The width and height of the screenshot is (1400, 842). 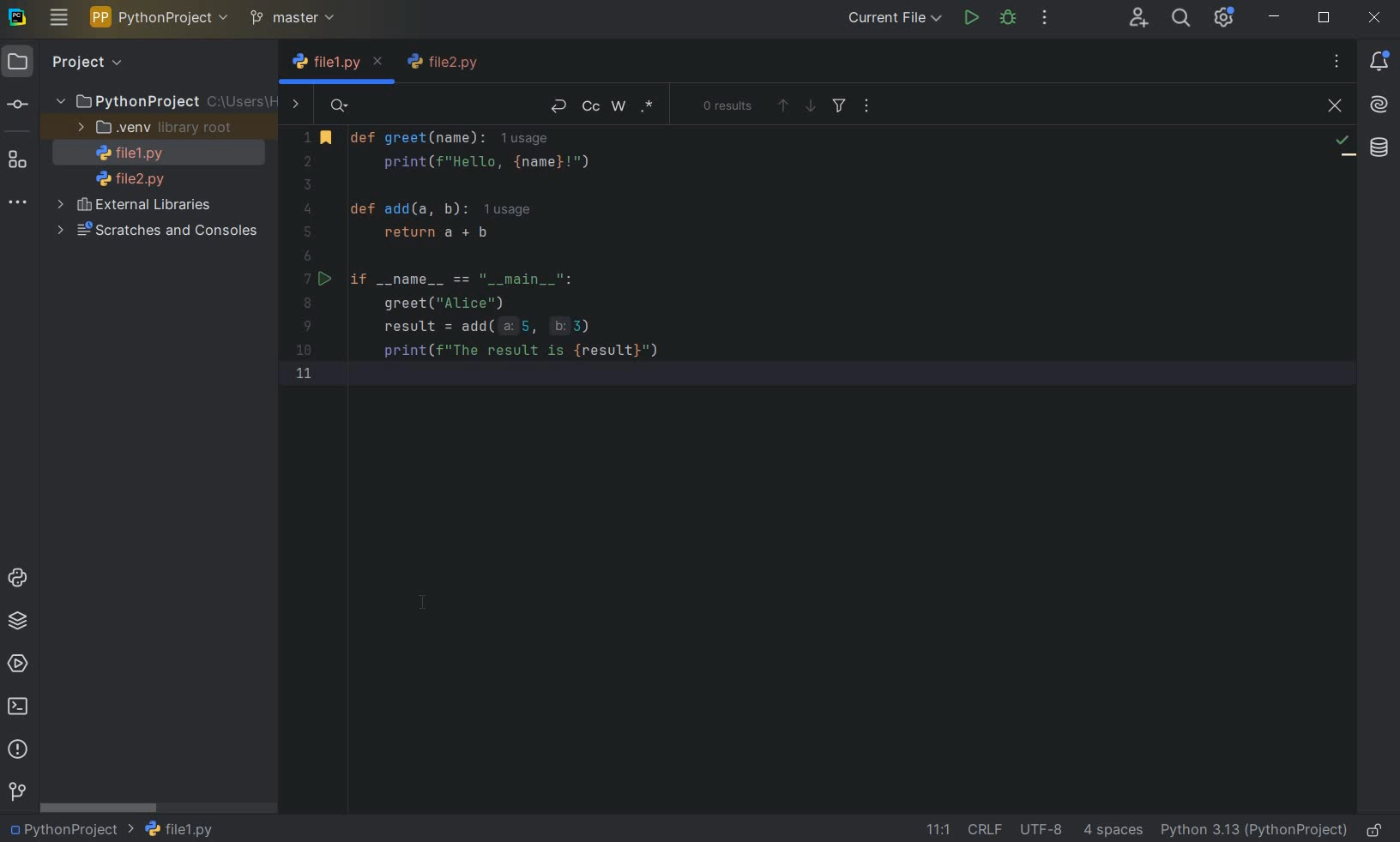 I want to click on PYTHON PROJECT NAME, so click(x=162, y=19).